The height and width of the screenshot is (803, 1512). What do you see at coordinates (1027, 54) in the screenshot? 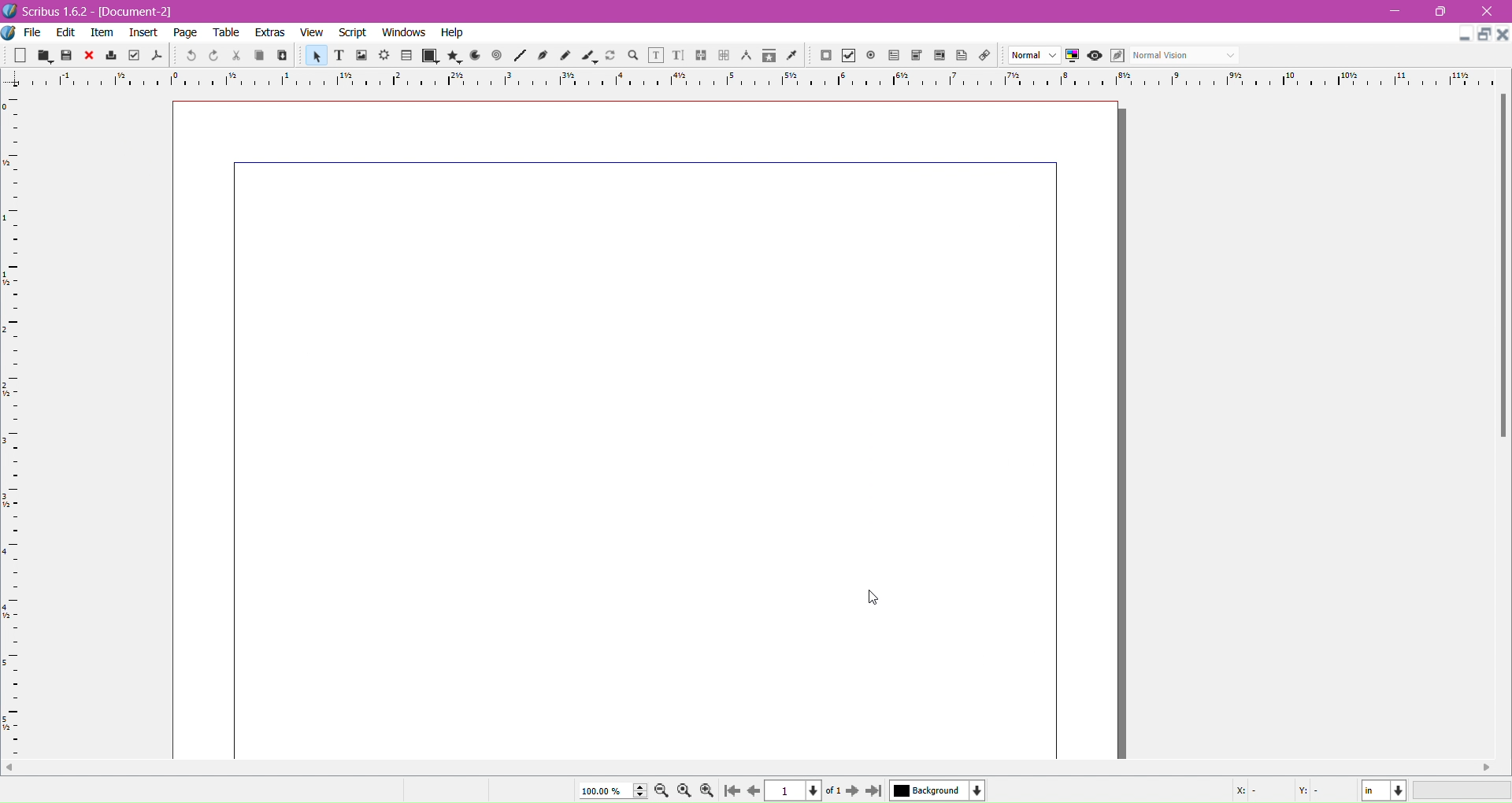
I see `drop down` at bounding box center [1027, 54].